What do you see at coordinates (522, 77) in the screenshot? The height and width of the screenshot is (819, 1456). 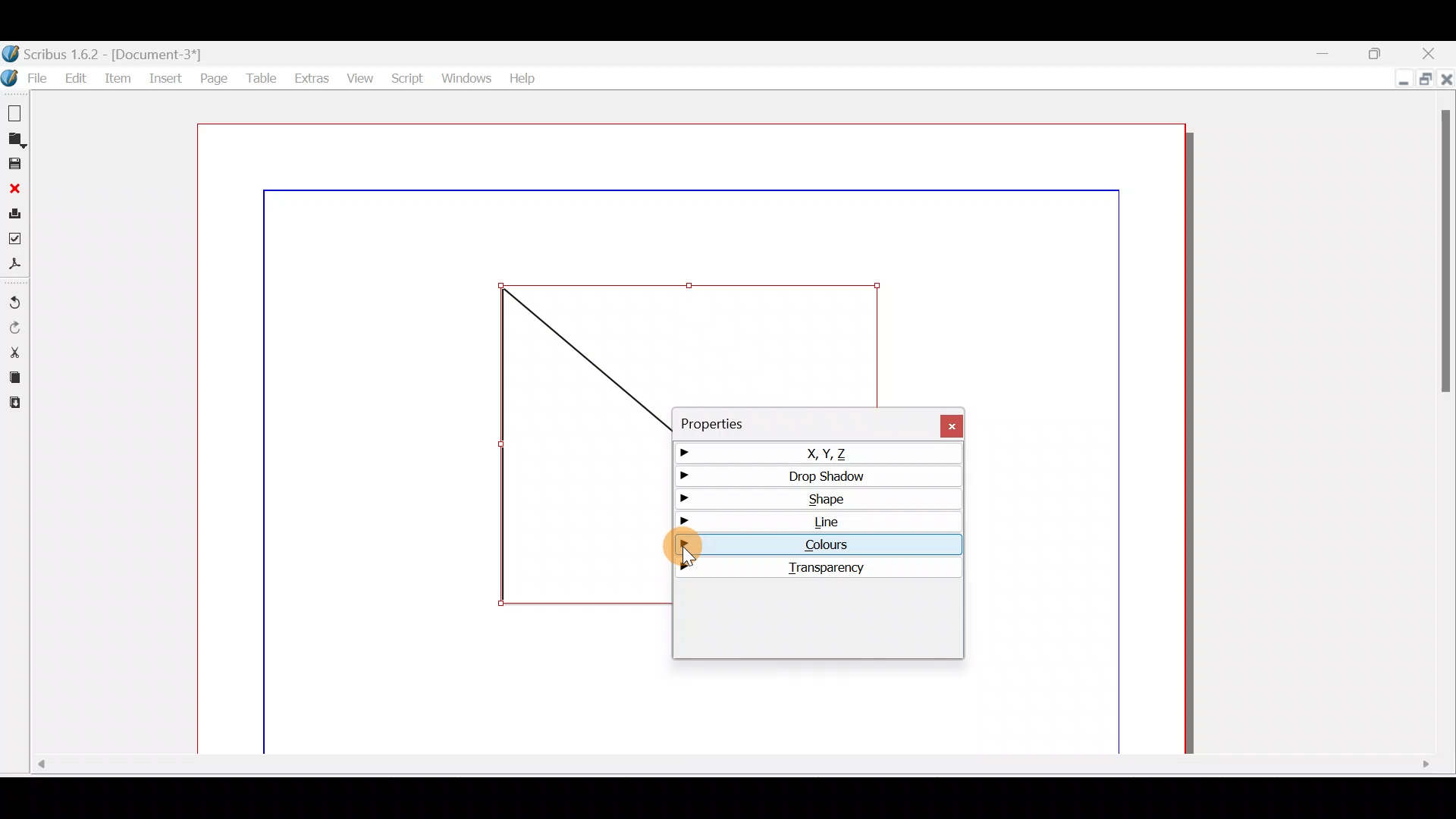 I see `Help` at bounding box center [522, 77].